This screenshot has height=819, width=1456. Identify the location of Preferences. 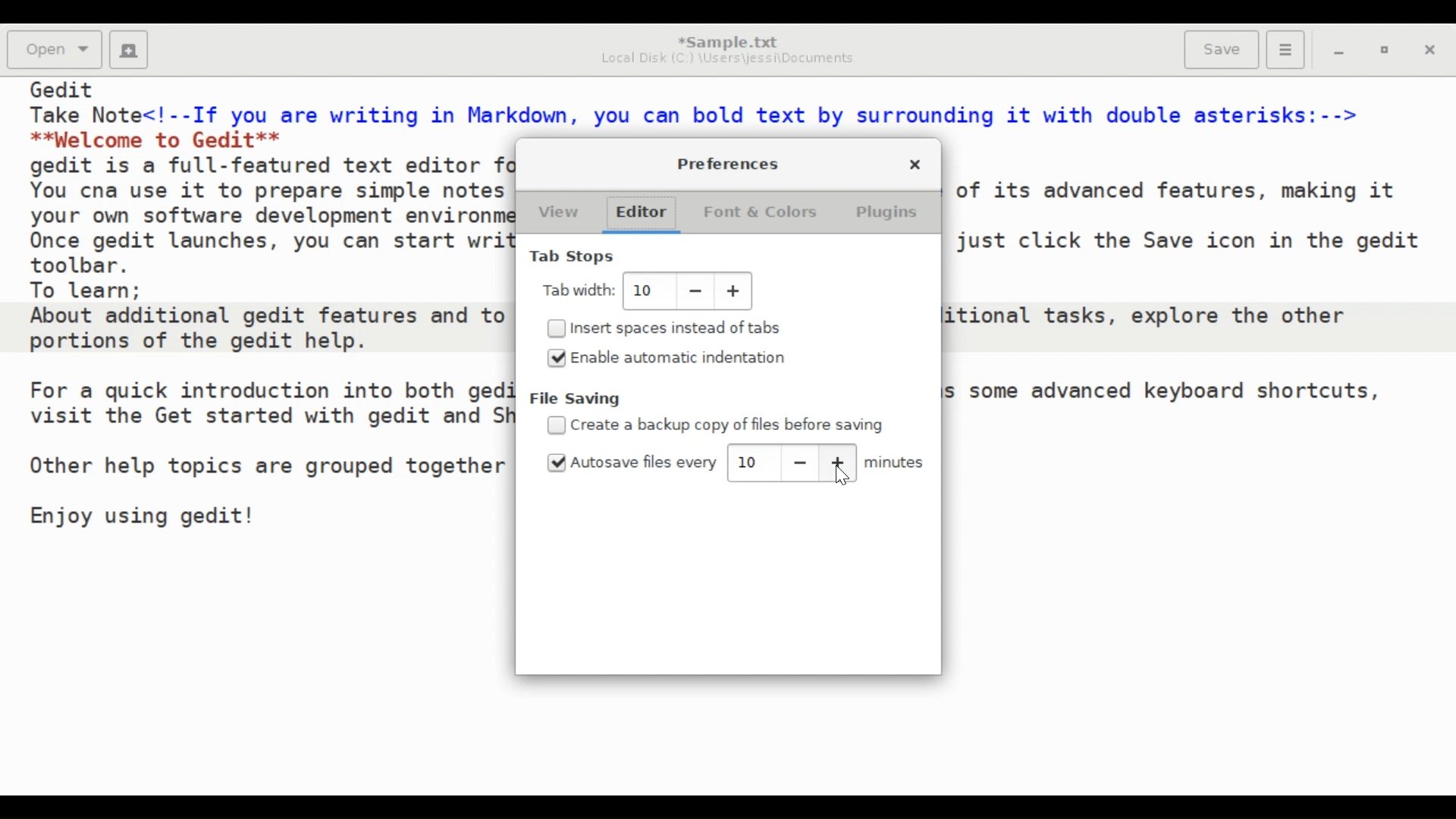
(729, 163).